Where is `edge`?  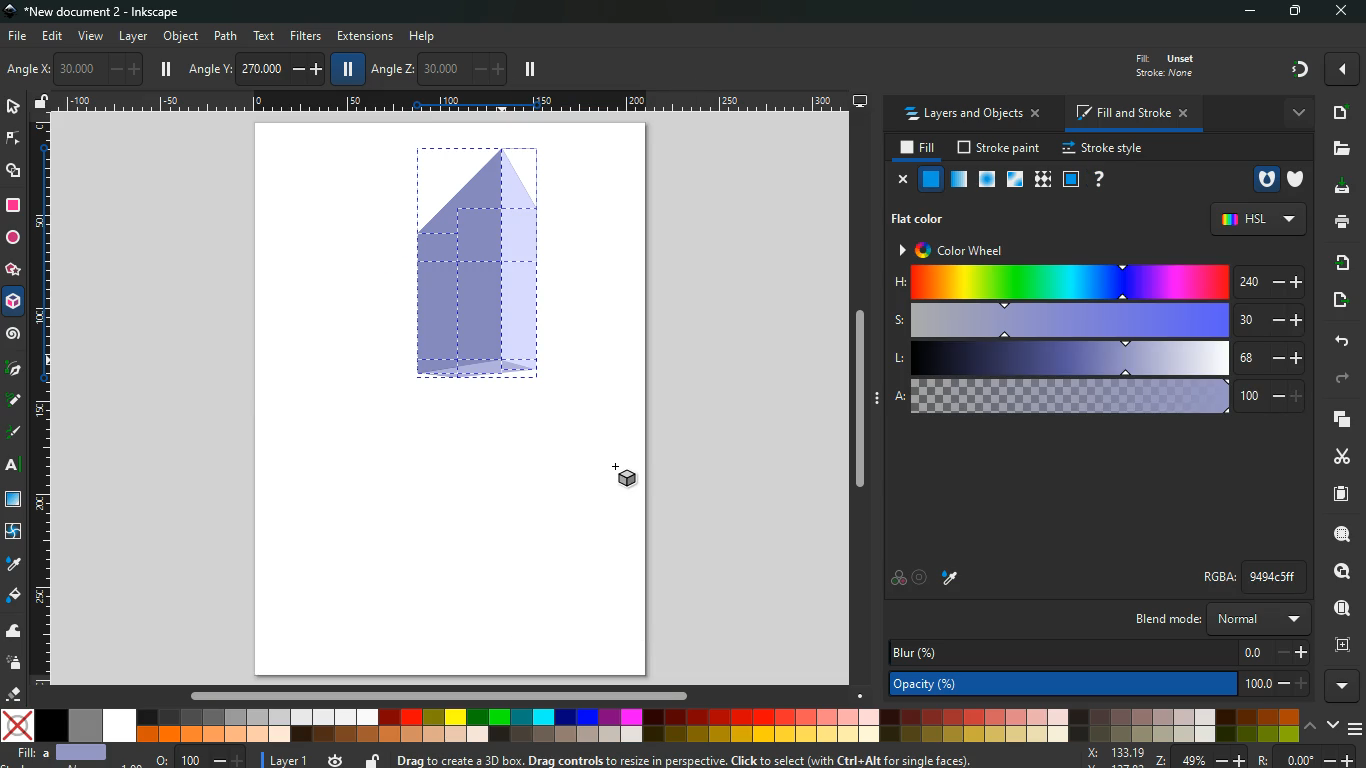
edge is located at coordinates (14, 139).